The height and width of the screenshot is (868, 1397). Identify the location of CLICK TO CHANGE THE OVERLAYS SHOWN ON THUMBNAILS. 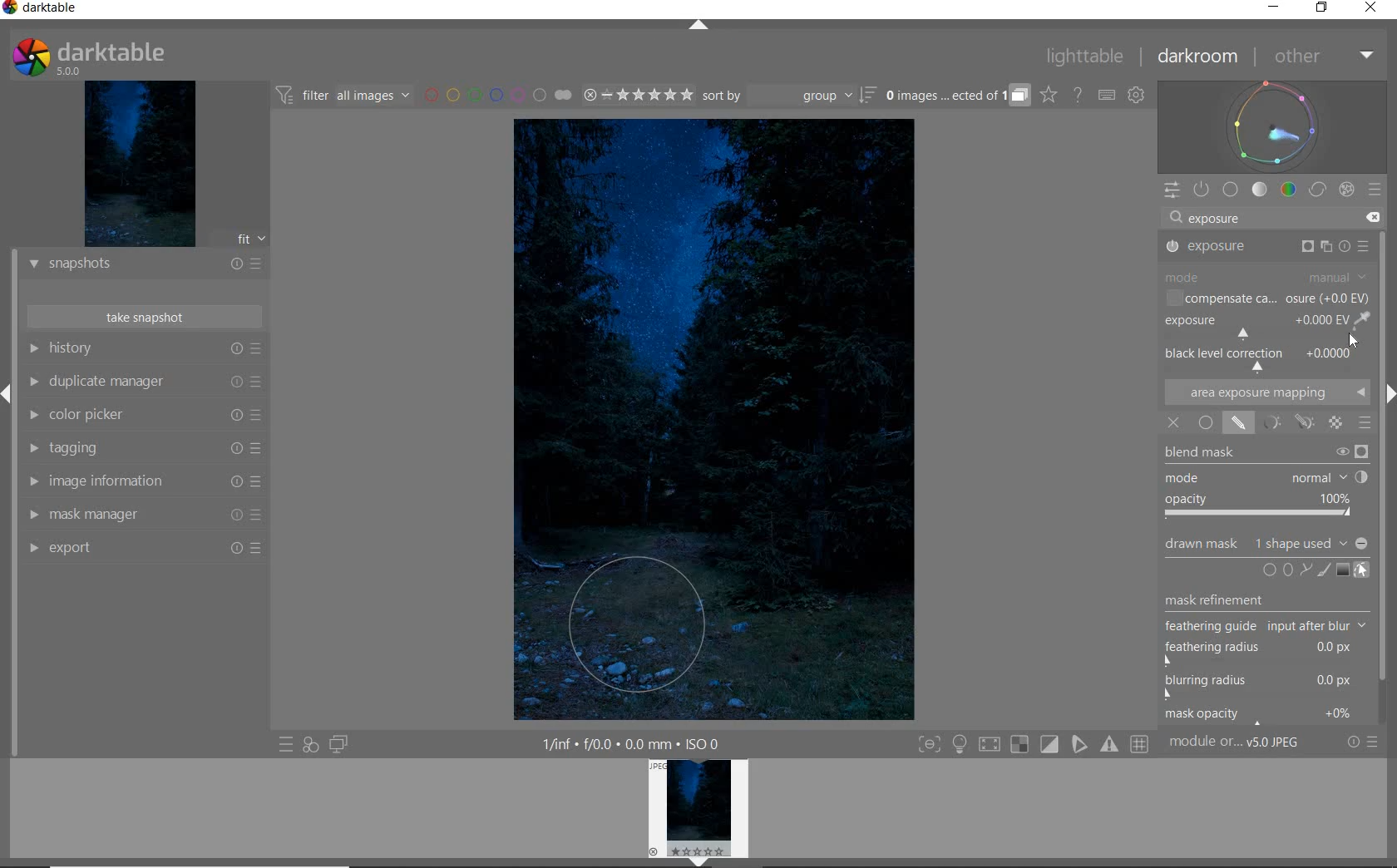
(1049, 95).